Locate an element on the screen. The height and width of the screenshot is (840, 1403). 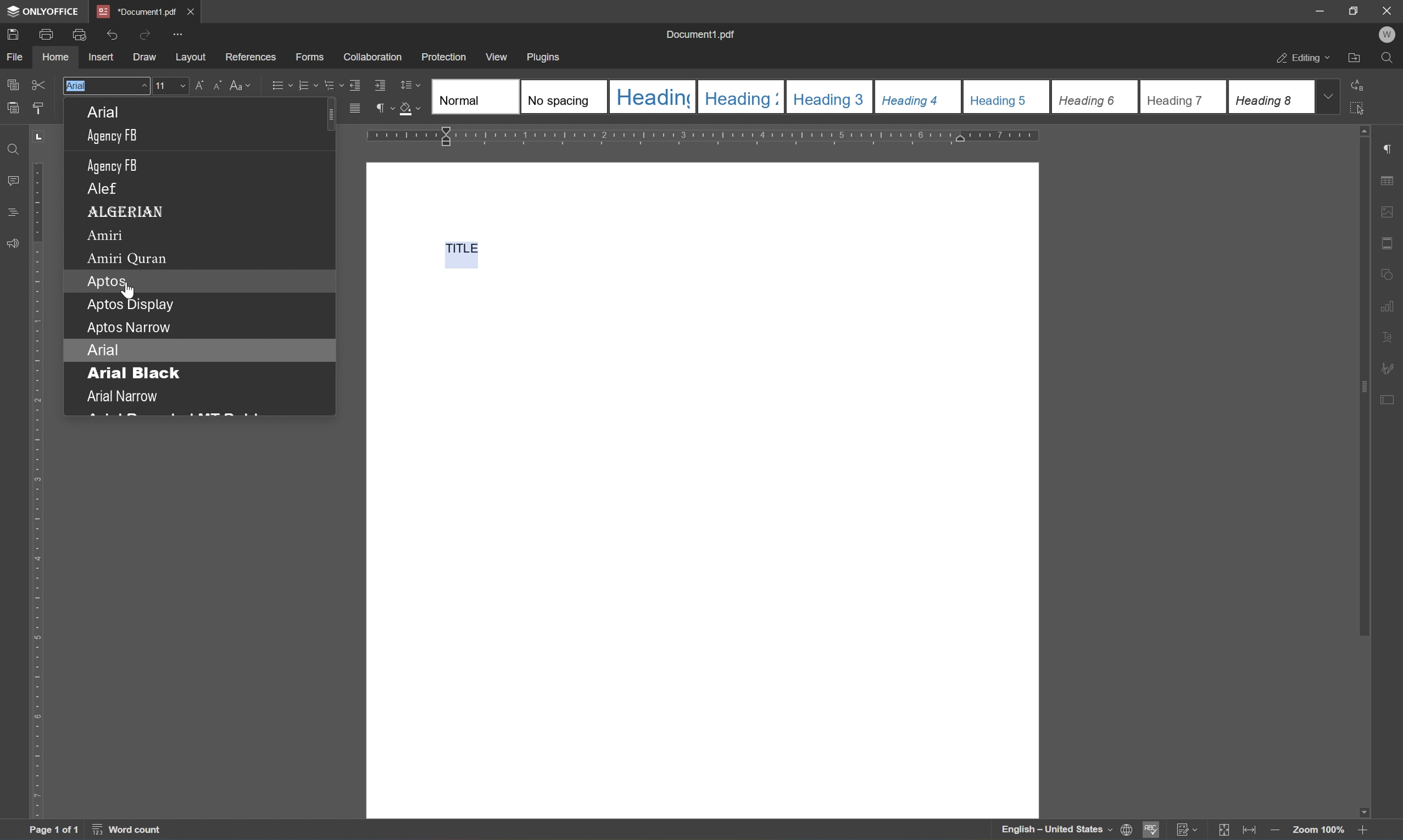
quick print is located at coordinates (79, 35).